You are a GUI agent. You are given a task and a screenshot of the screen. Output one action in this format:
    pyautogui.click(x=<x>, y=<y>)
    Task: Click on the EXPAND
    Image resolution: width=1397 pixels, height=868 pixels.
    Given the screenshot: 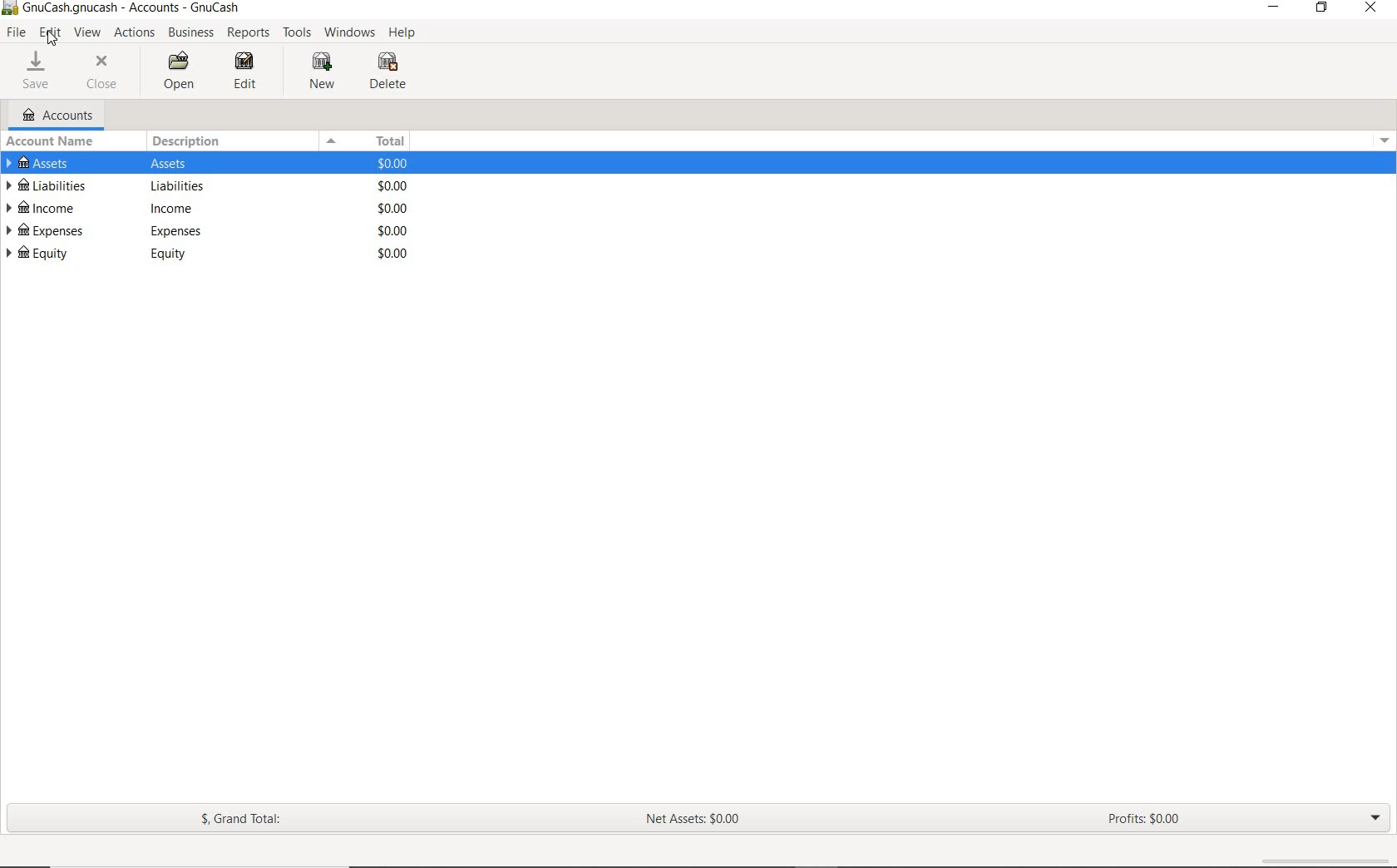 What is the action you would take?
    pyautogui.click(x=1375, y=817)
    